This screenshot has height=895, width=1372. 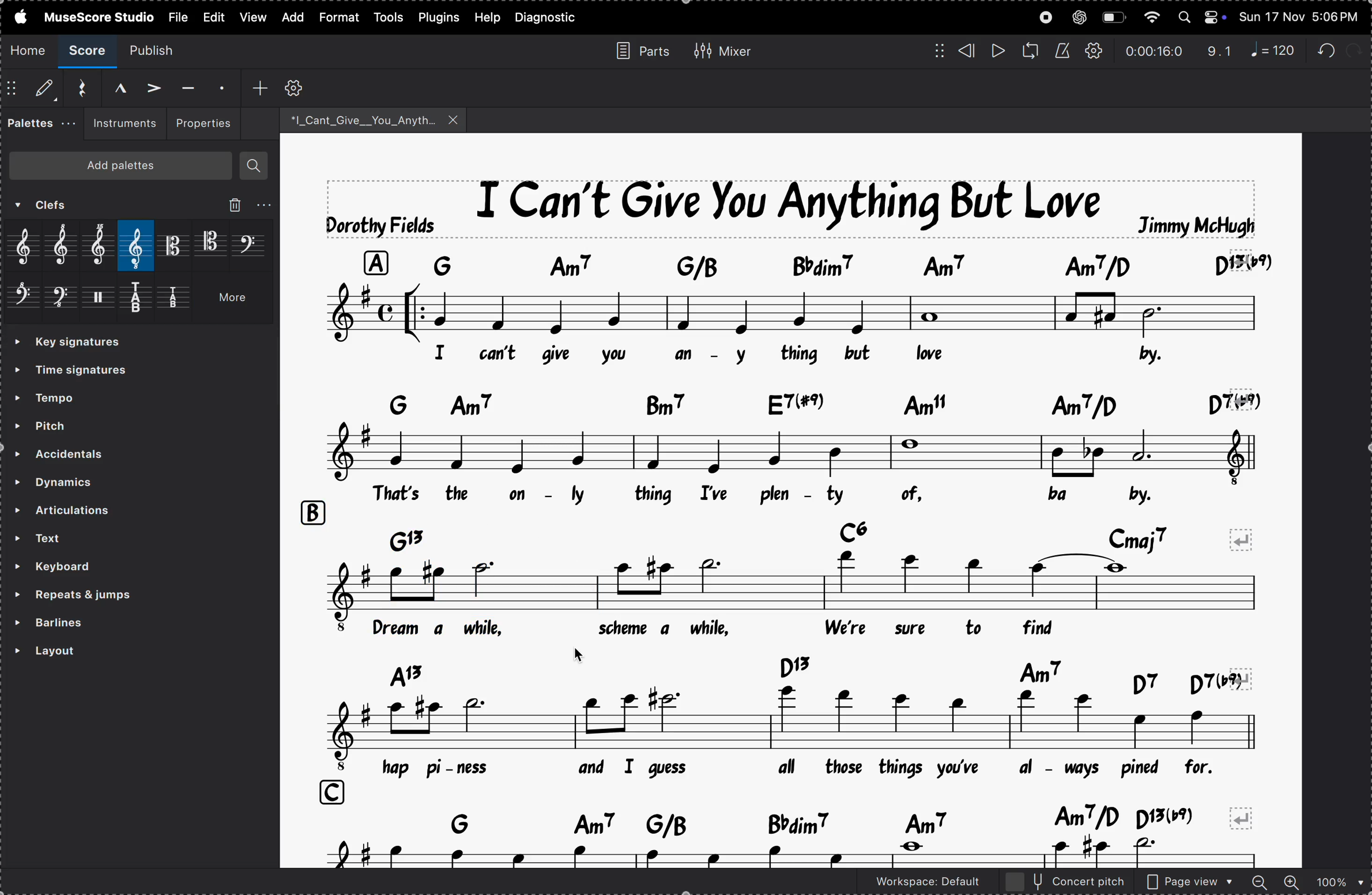 What do you see at coordinates (1220, 51) in the screenshot?
I see `redo` at bounding box center [1220, 51].